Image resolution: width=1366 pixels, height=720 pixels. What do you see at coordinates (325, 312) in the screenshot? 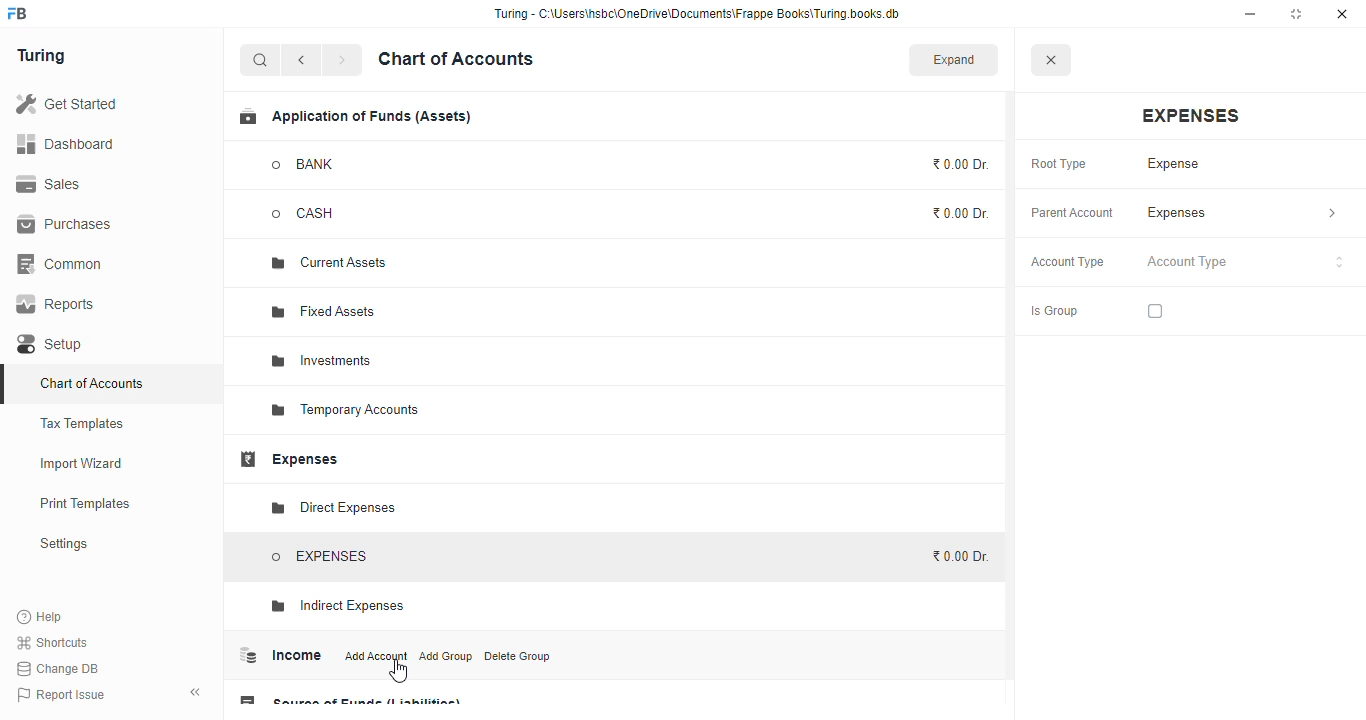
I see `fixed assets` at bounding box center [325, 312].